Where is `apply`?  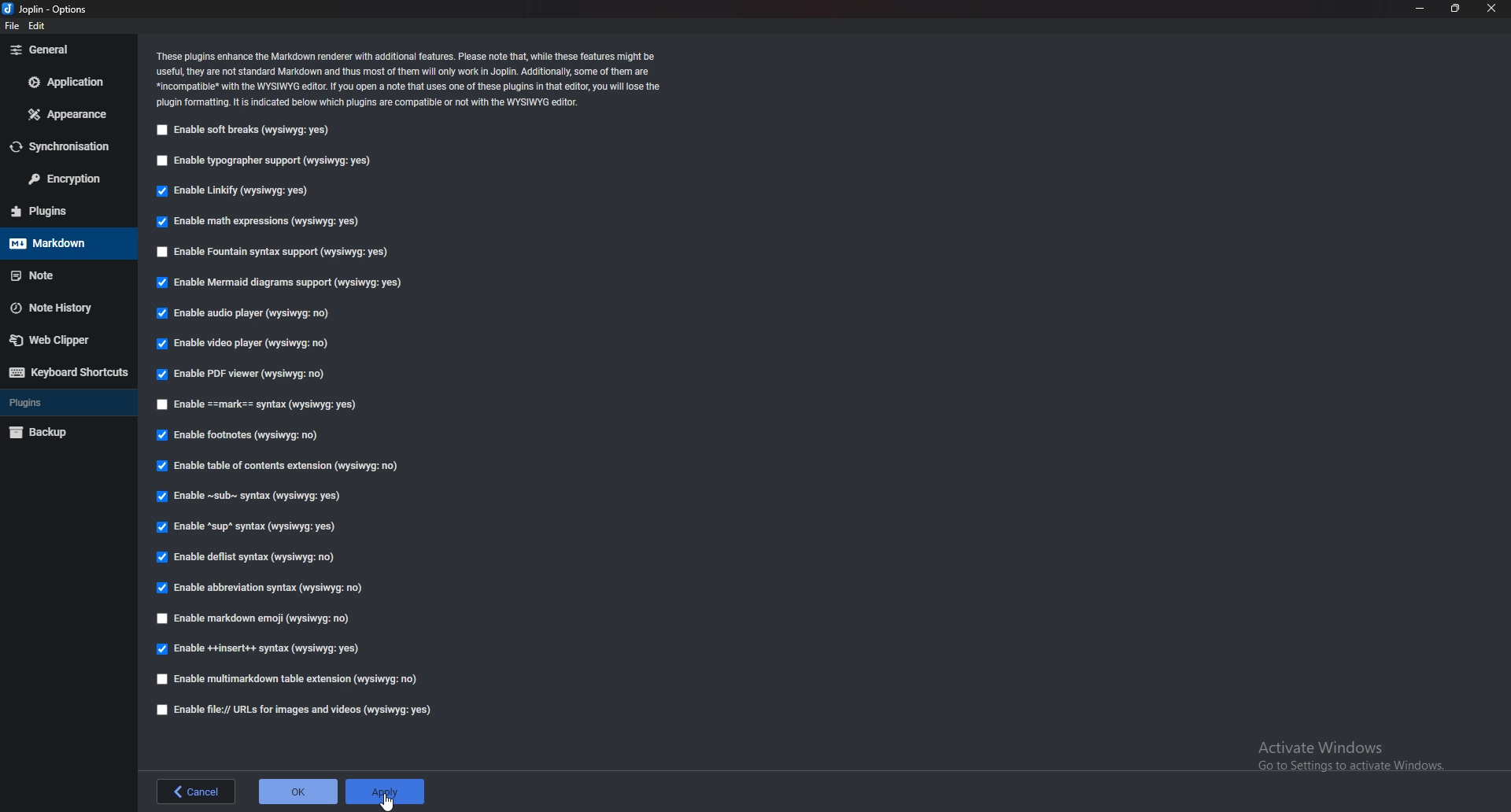
apply is located at coordinates (384, 791).